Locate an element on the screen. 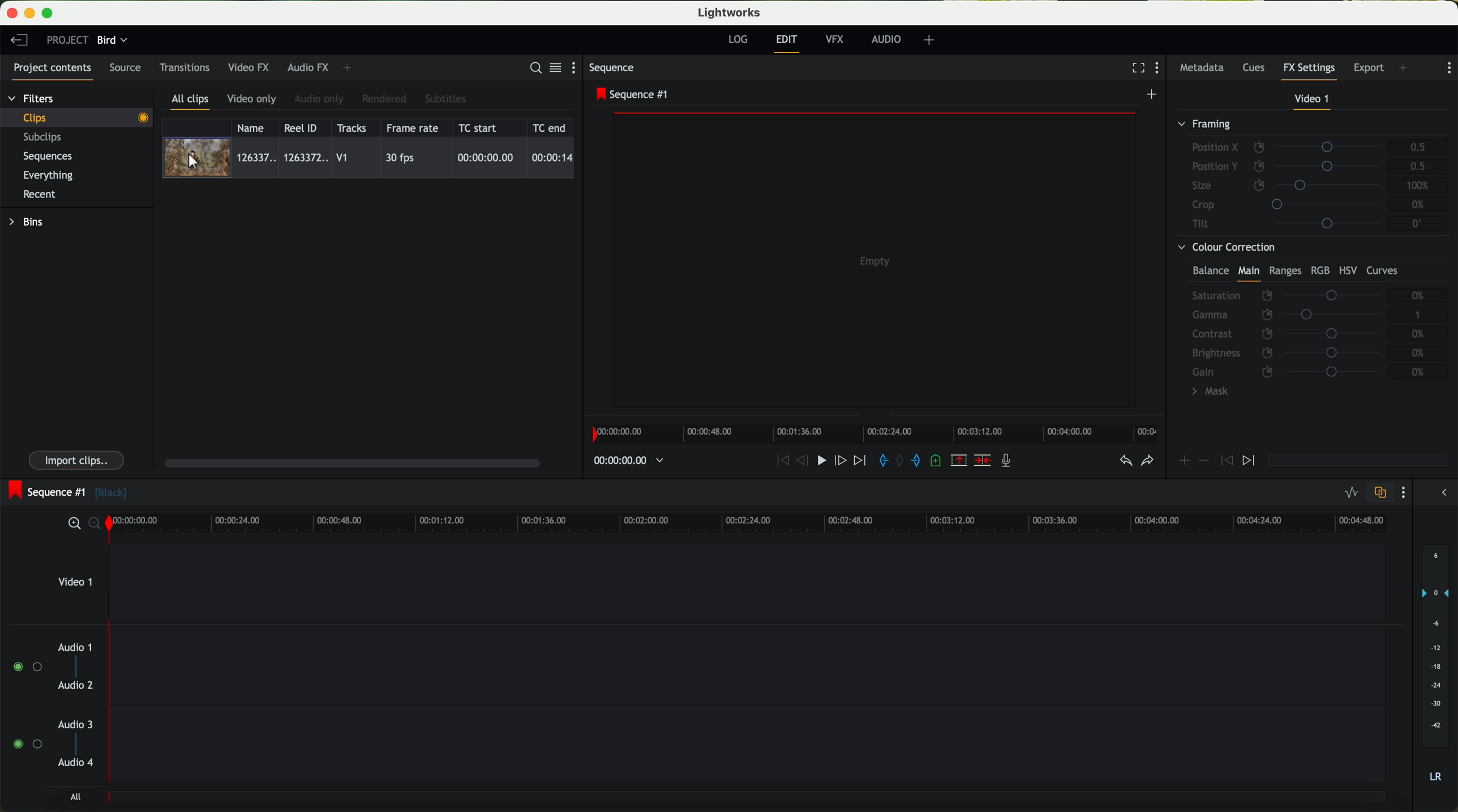  redo is located at coordinates (1147, 462).